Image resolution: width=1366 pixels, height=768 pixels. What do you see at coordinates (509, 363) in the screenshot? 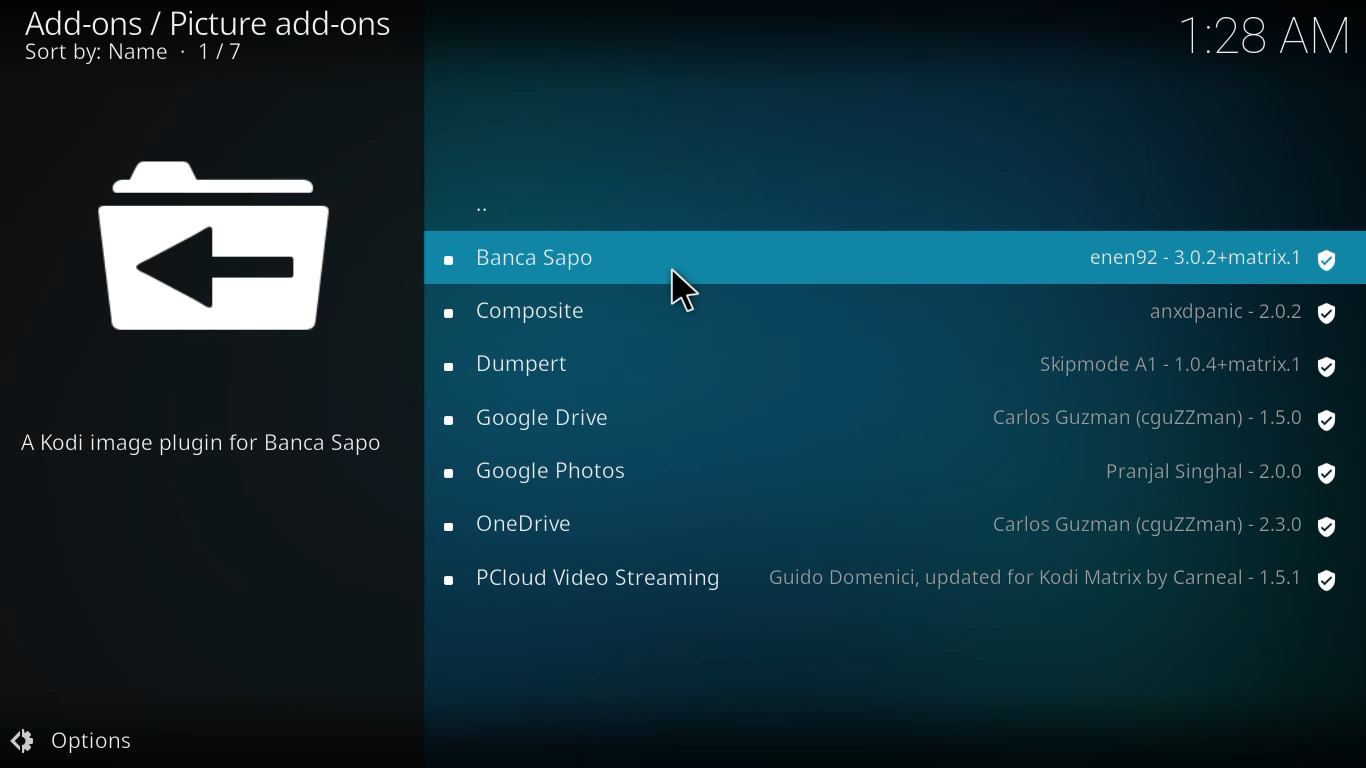
I see `dumpert` at bounding box center [509, 363].